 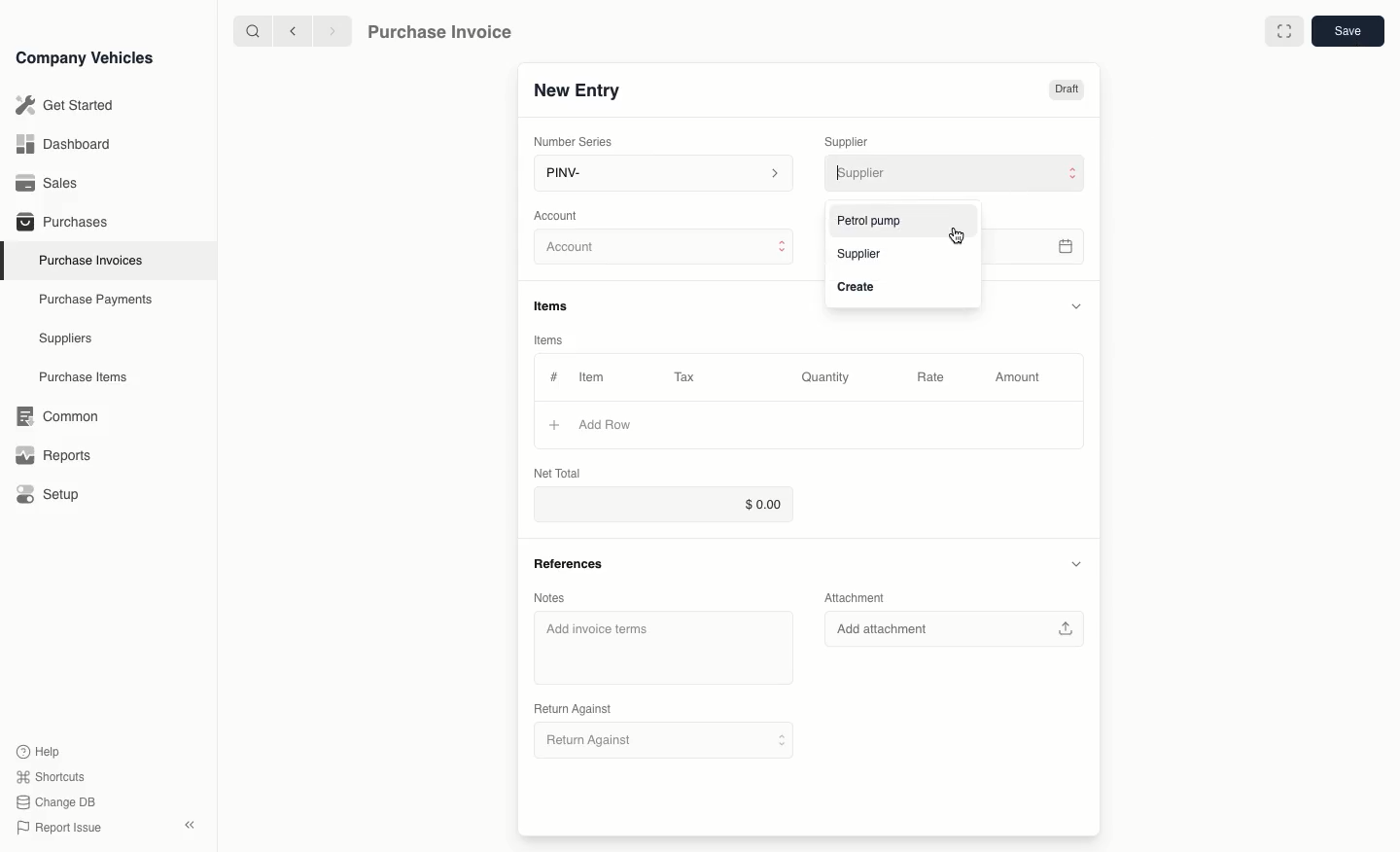 What do you see at coordinates (895, 222) in the screenshot?
I see `Petrol pump ` at bounding box center [895, 222].